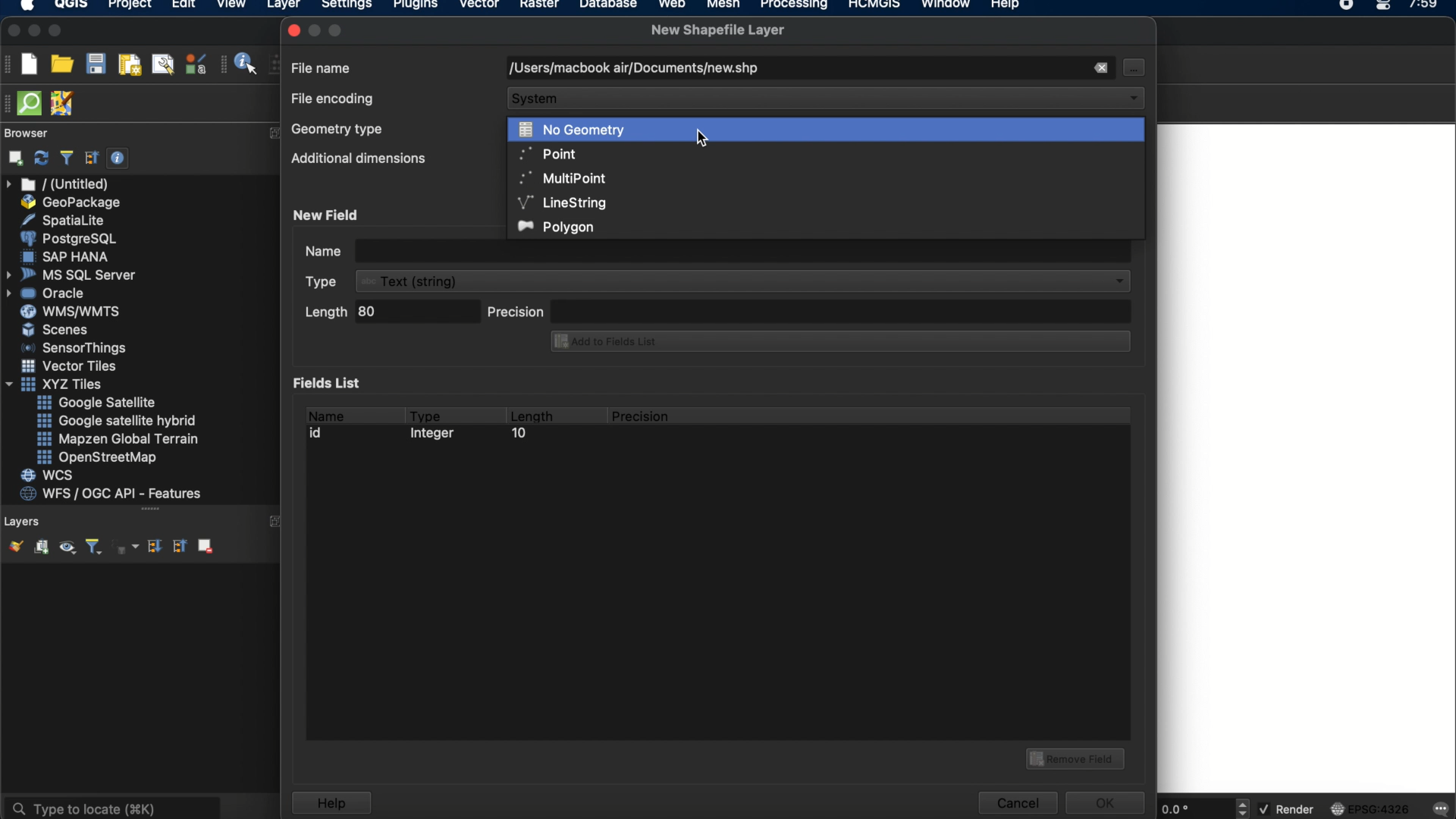 This screenshot has height=819, width=1456. I want to click on web, so click(673, 6).